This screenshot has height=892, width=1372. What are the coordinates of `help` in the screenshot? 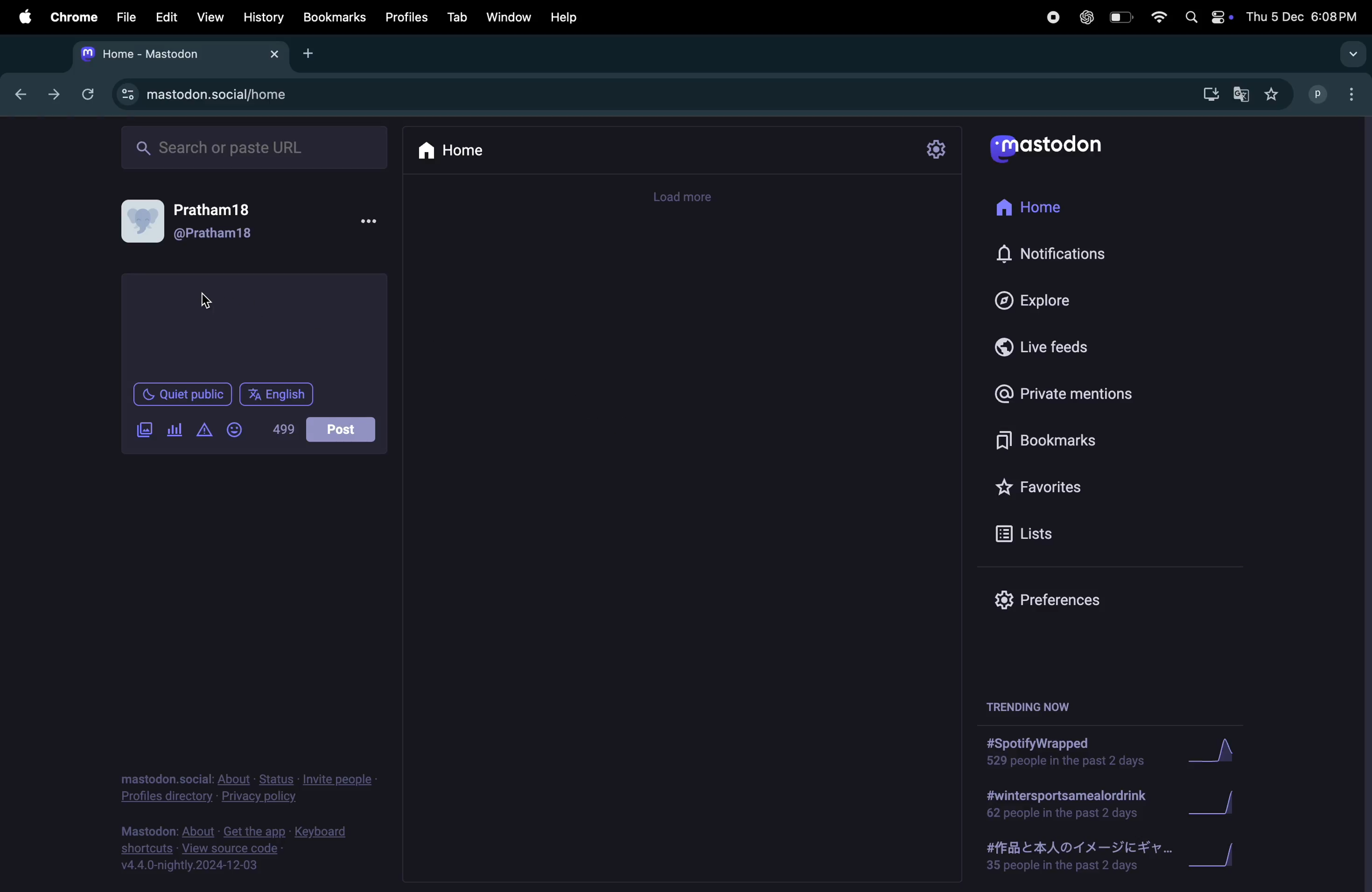 It's located at (568, 17).